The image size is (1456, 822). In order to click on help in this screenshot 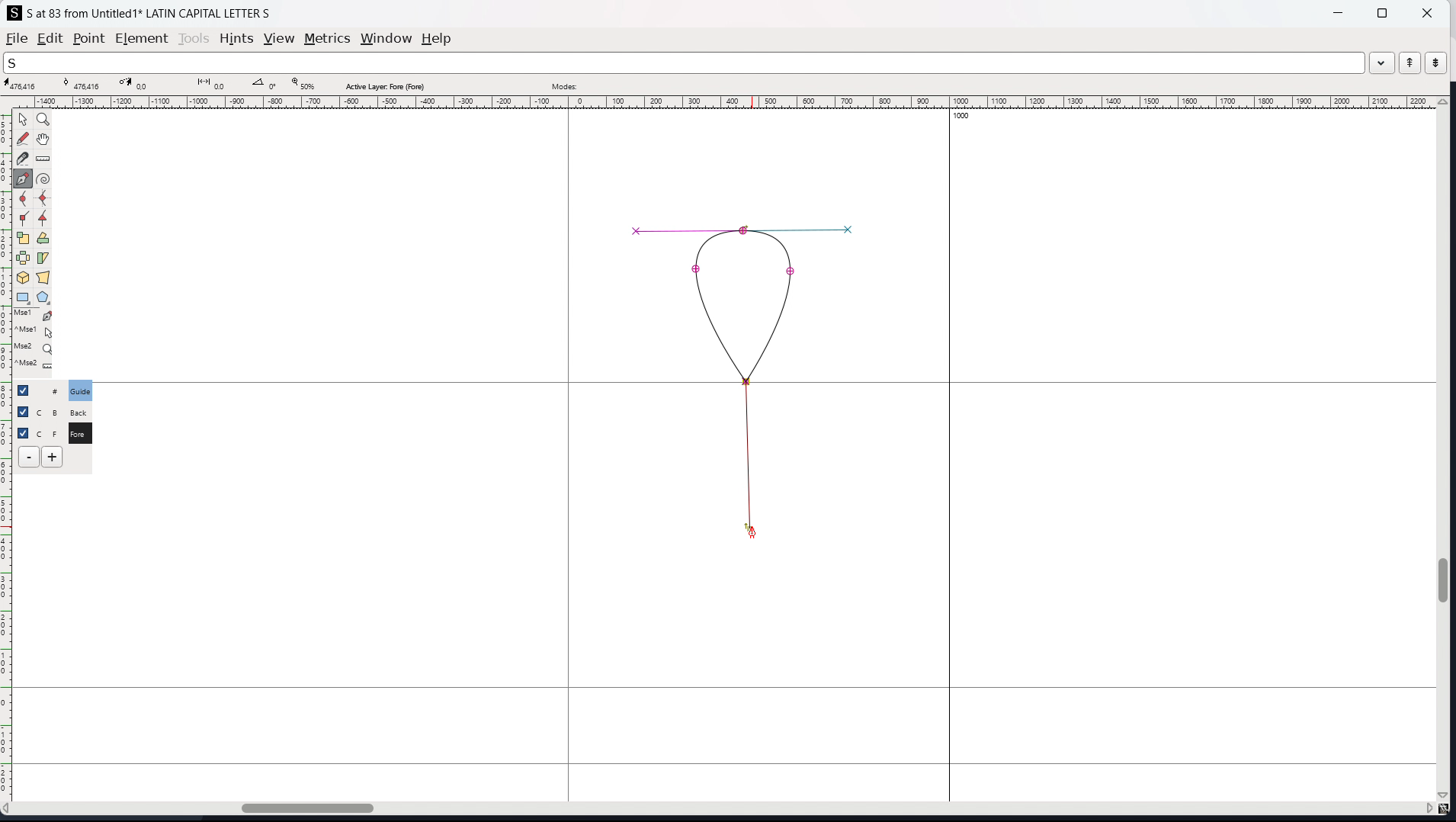, I will do `click(437, 39)`.